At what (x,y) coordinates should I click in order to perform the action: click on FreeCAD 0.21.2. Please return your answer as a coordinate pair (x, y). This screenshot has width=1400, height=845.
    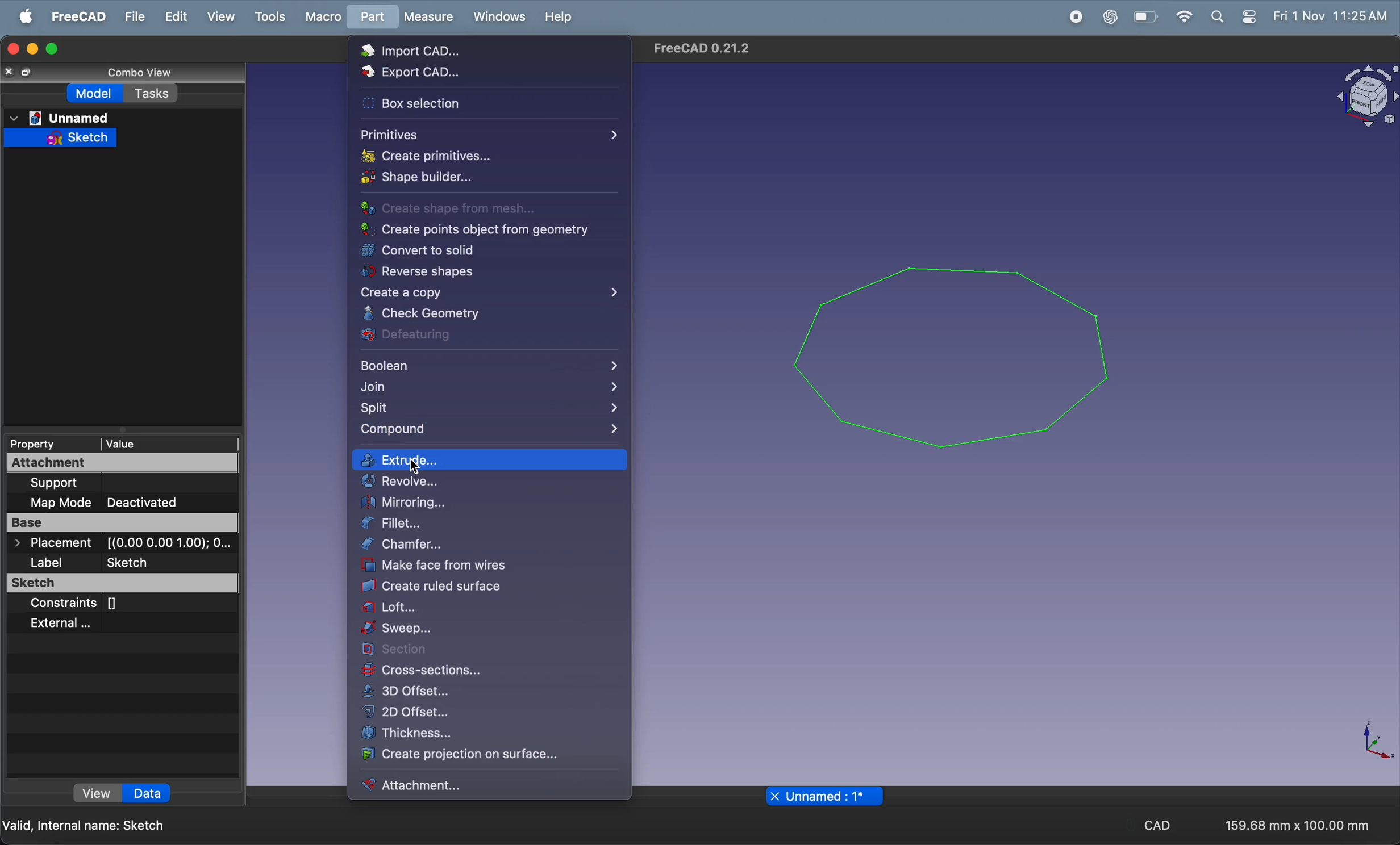
    Looking at the image, I should click on (706, 48).